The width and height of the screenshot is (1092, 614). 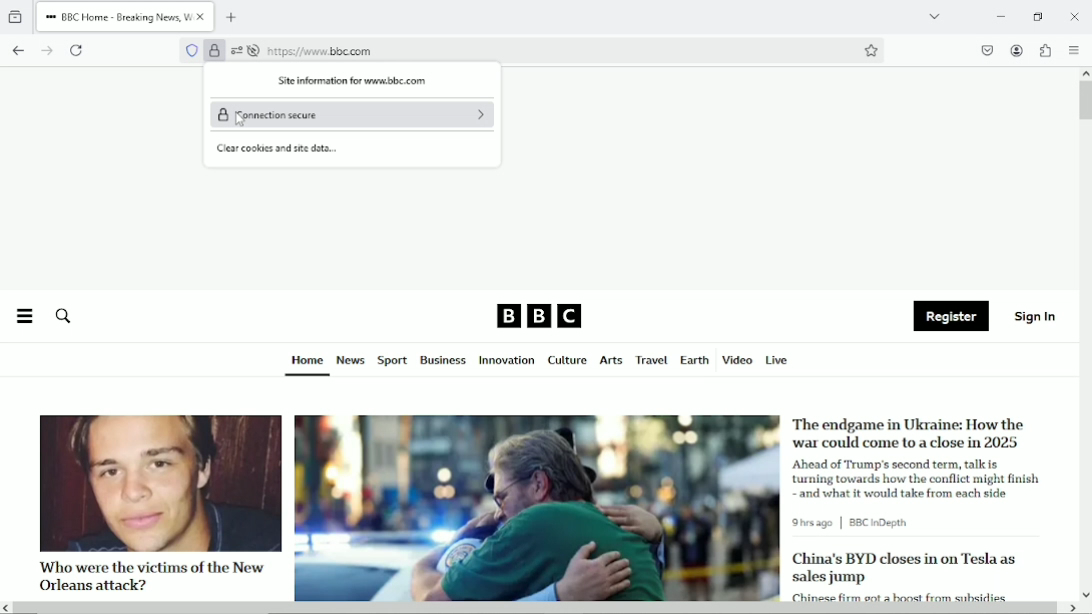 I want to click on image, so click(x=538, y=509).